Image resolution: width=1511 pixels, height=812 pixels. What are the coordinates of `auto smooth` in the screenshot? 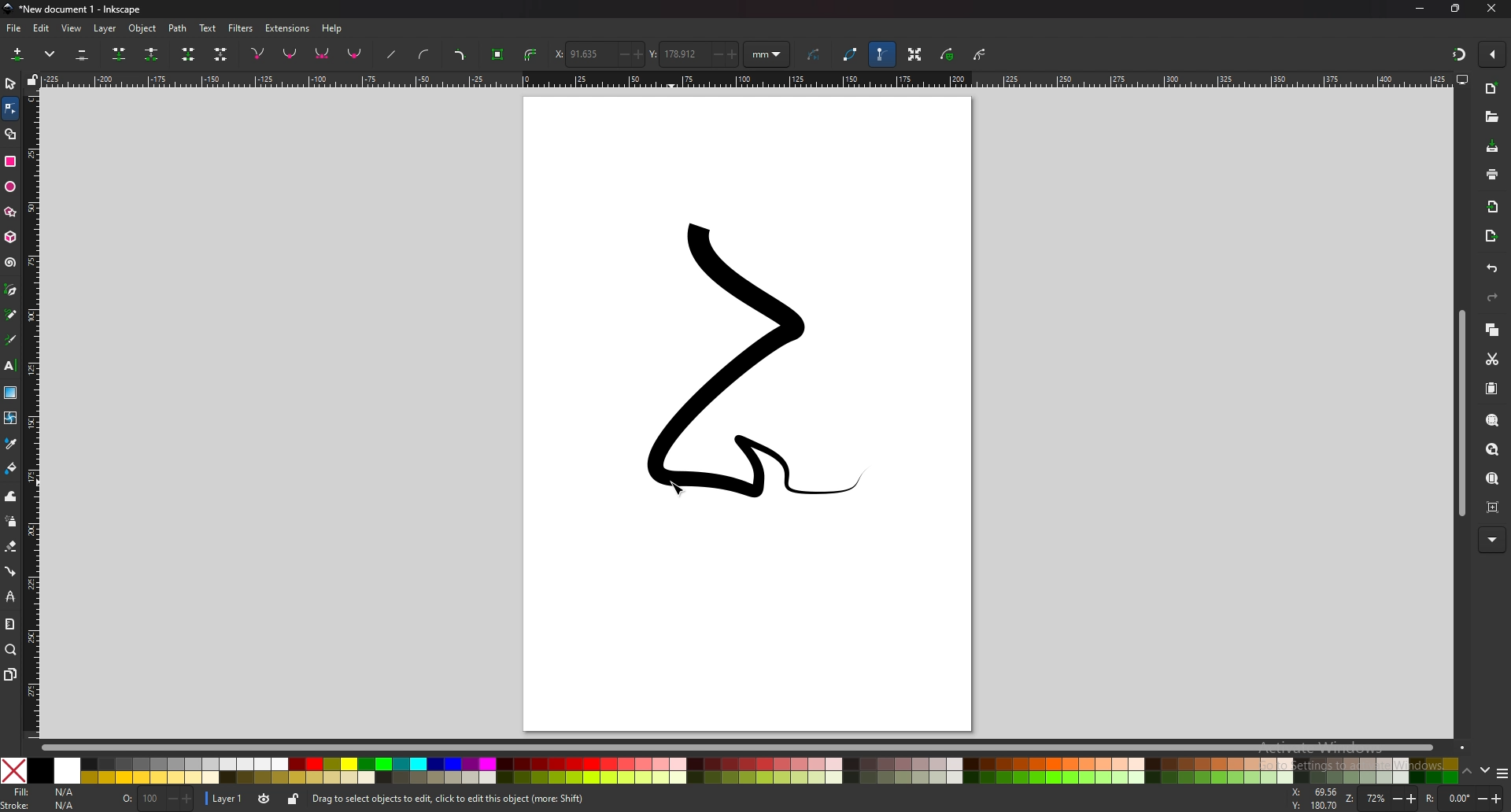 It's located at (356, 55).